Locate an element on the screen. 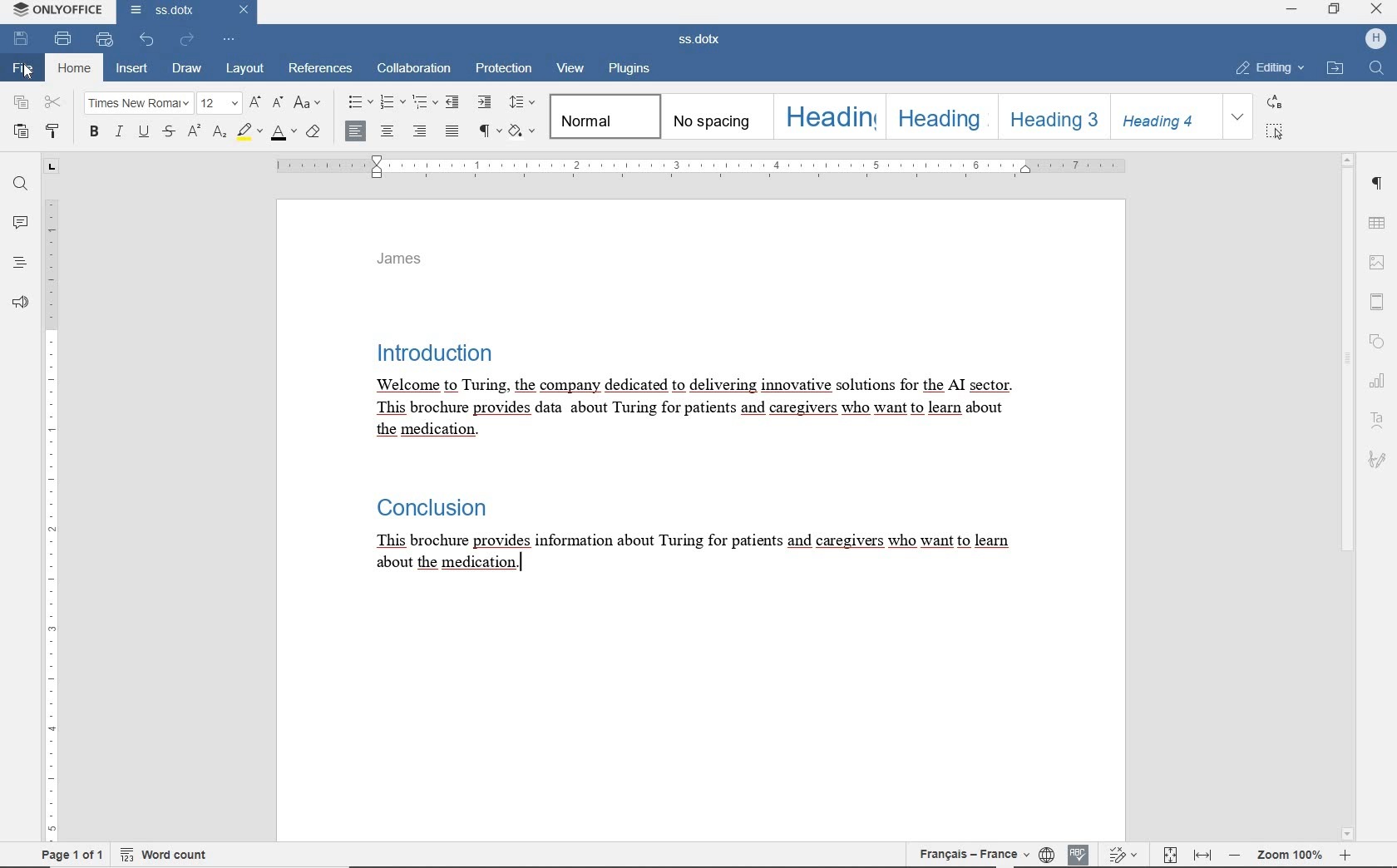  SYSTEM NAME is located at coordinates (59, 13).